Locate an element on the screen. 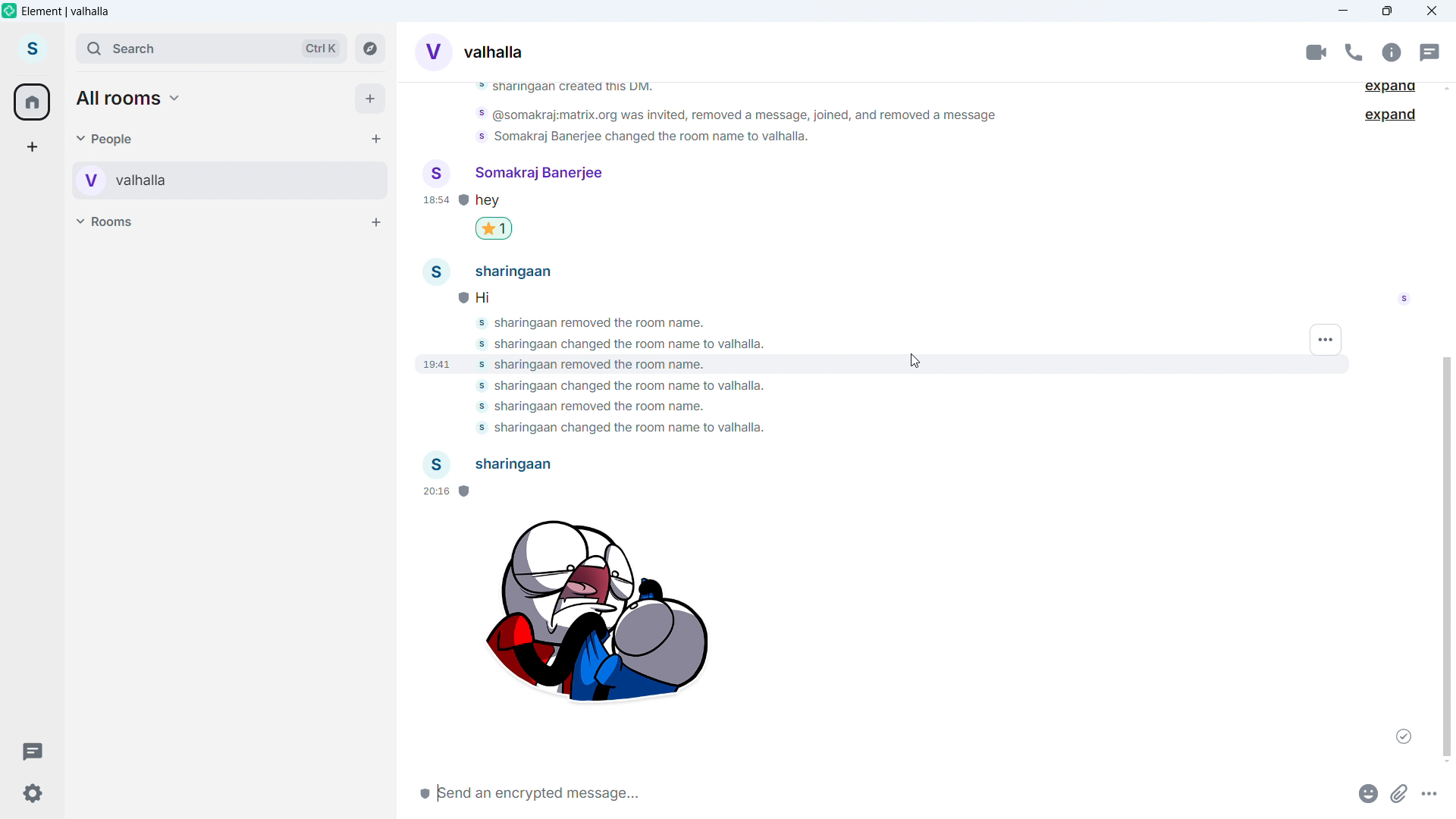 This screenshot has width=1456, height=819. element vahalla is located at coordinates (67, 11).